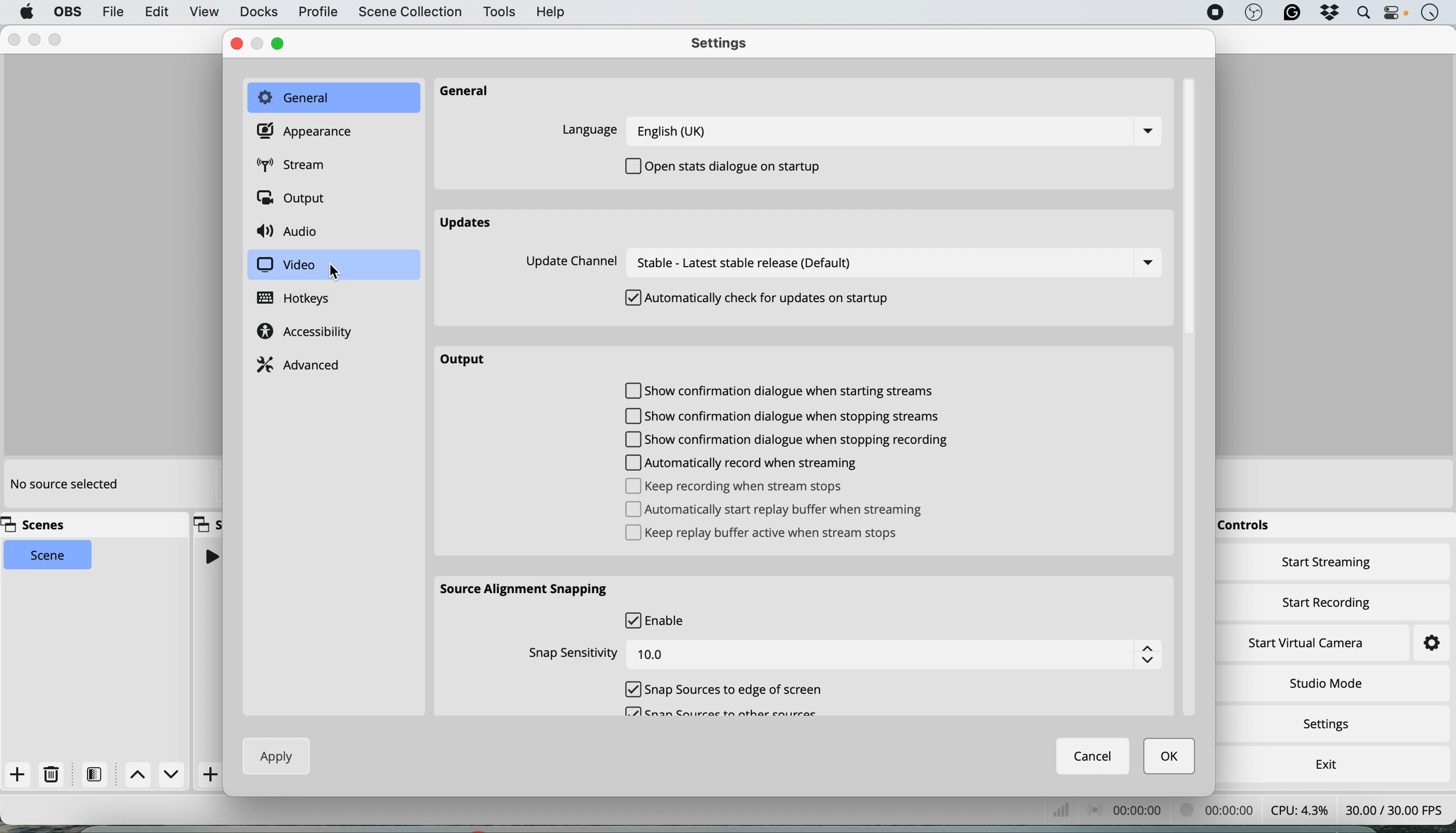 The height and width of the screenshot is (833, 1456). Describe the element at coordinates (262, 43) in the screenshot. I see `minimize` at that location.